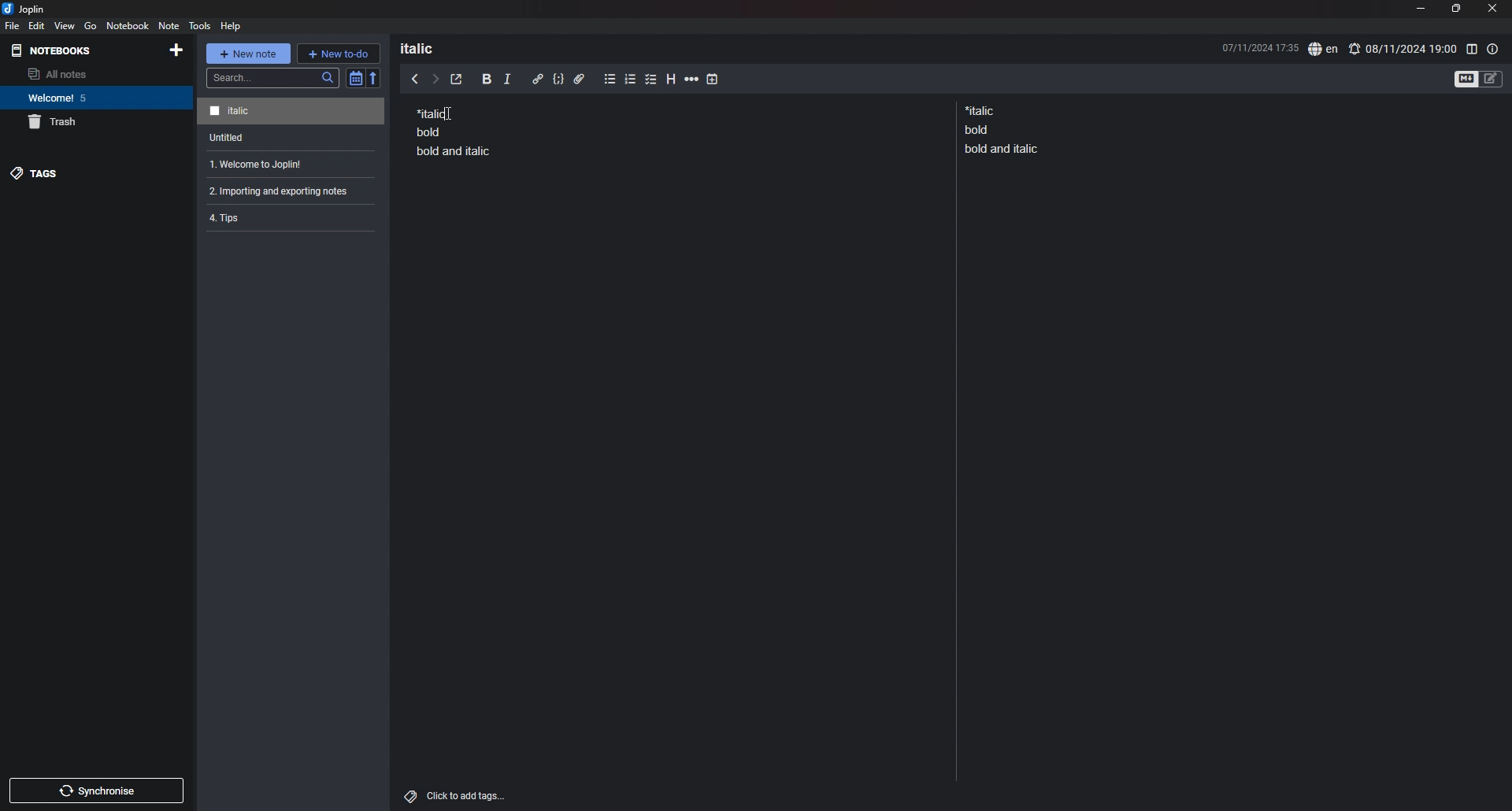 The height and width of the screenshot is (811, 1512). I want to click on hyperlink, so click(538, 79).